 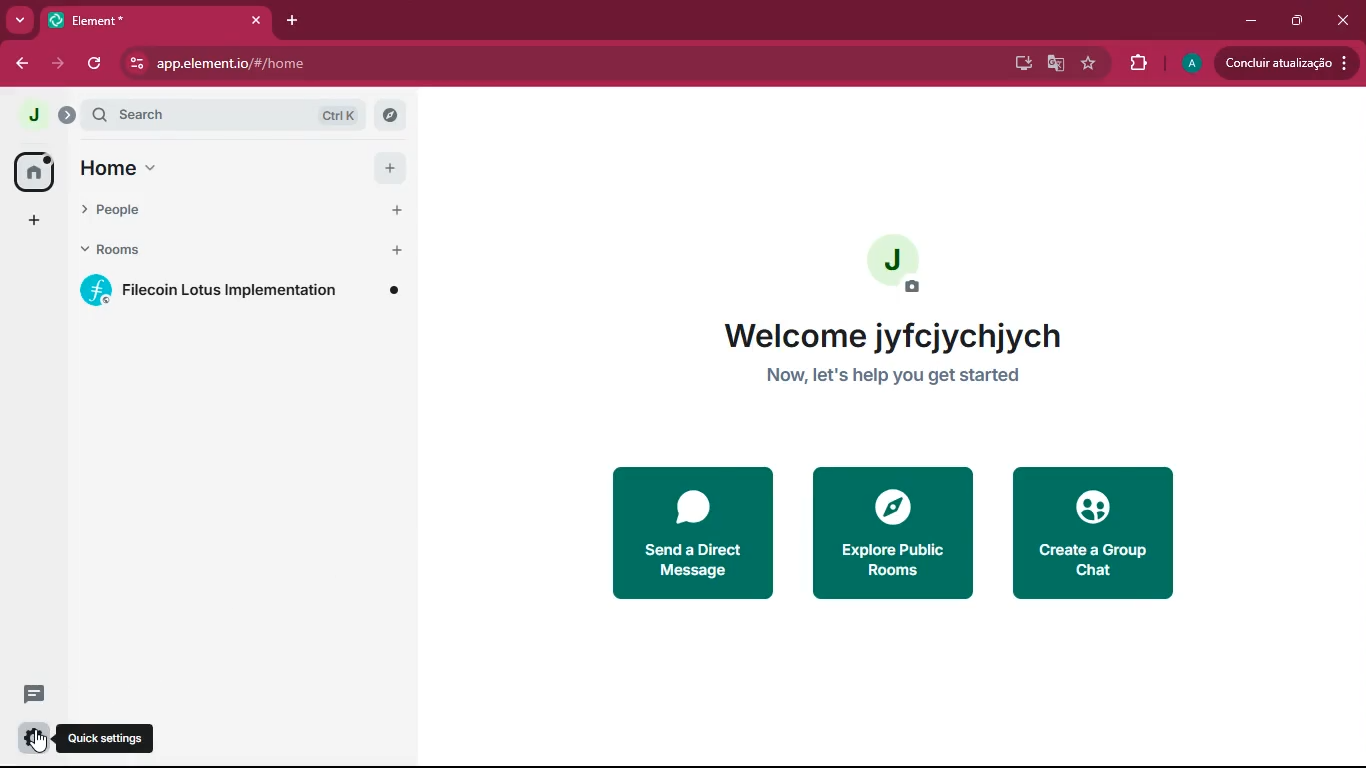 What do you see at coordinates (289, 19) in the screenshot?
I see `add tab` at bounding box center [289, 19].